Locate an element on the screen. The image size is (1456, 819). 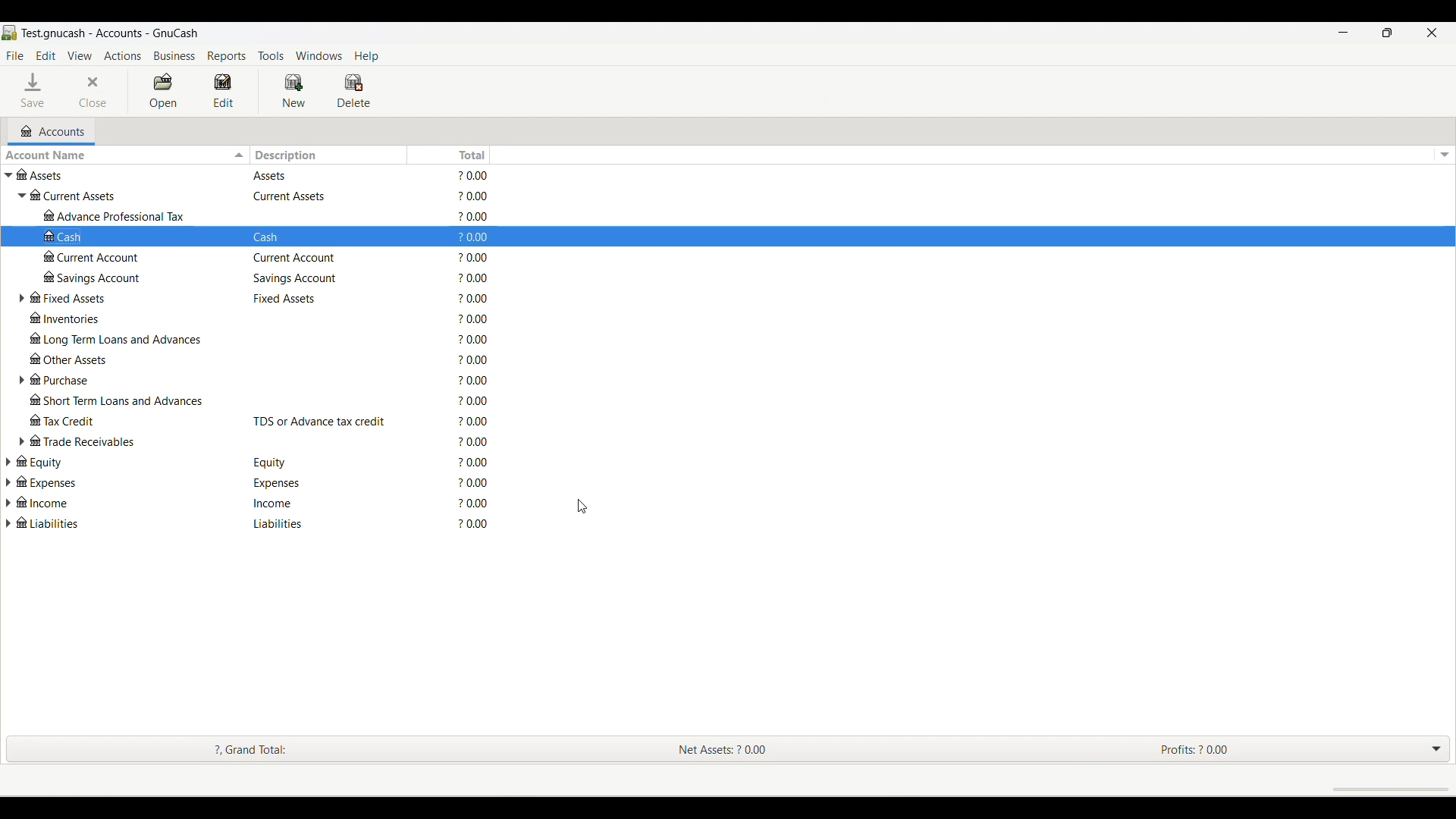
Total cloumn is located at coordinates (465, 350).